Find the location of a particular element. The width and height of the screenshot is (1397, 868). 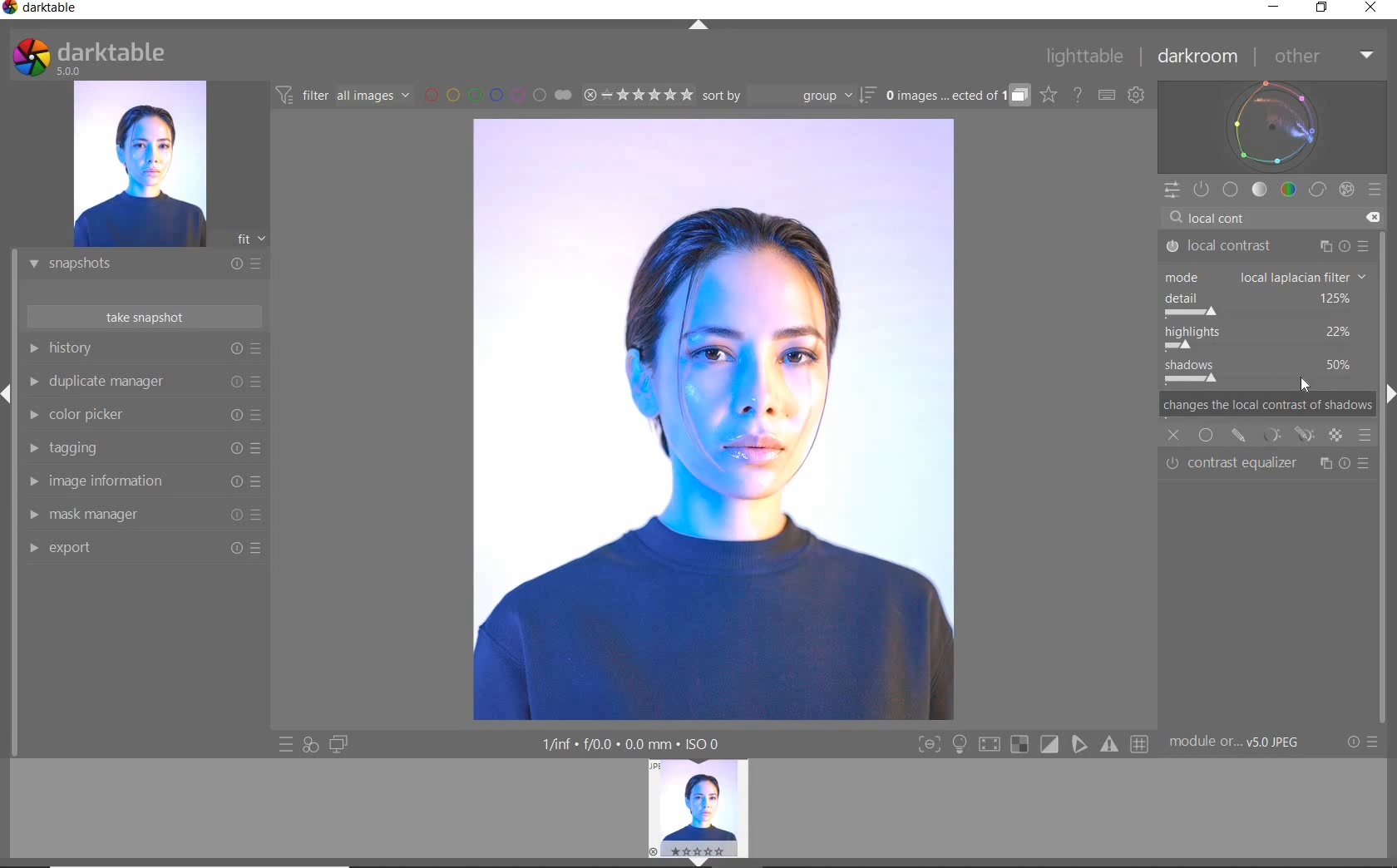

SHOW GLOBAL PREFERENCES is located at coordinates (1136, 96).